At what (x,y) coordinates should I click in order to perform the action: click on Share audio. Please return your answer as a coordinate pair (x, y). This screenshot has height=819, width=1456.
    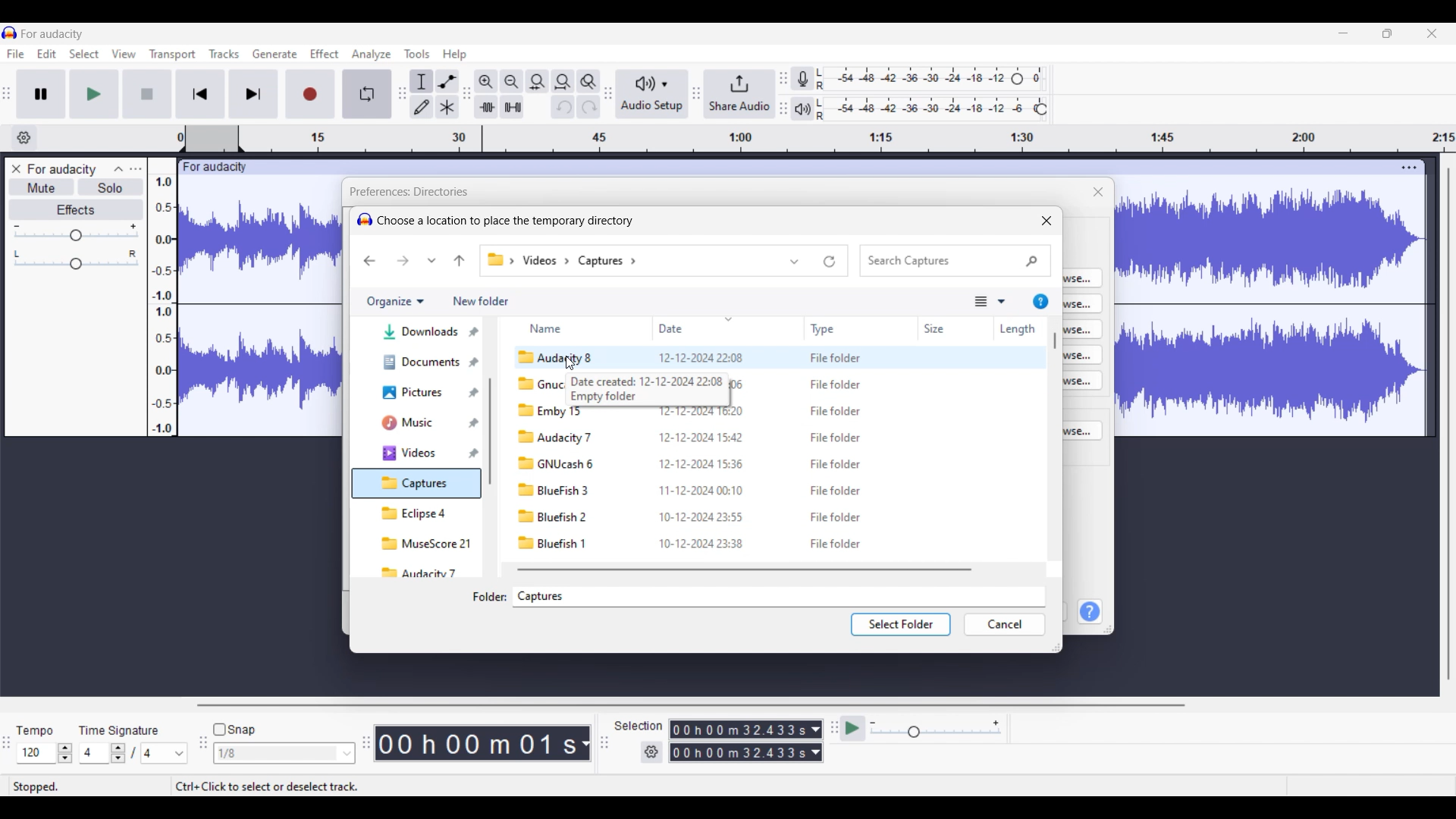
    Looking at the image, I should click on (740, 93).